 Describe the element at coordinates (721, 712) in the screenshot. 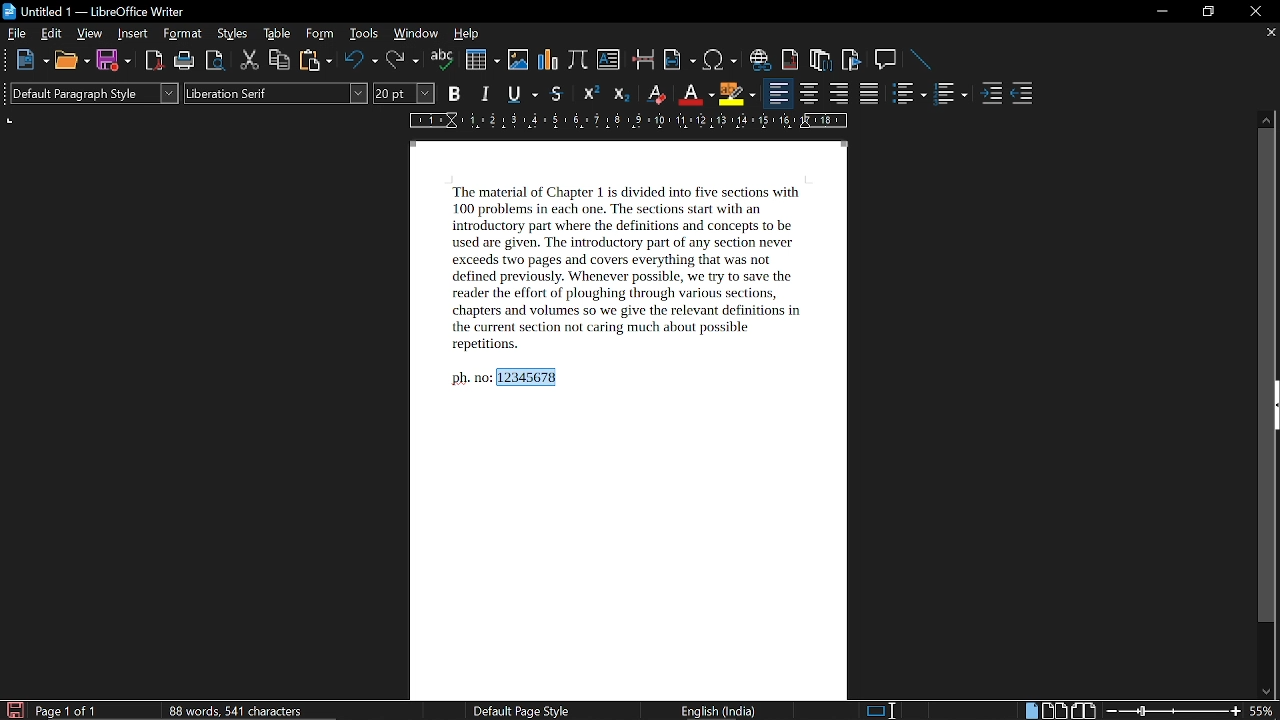

I see `English (India)` at that location.